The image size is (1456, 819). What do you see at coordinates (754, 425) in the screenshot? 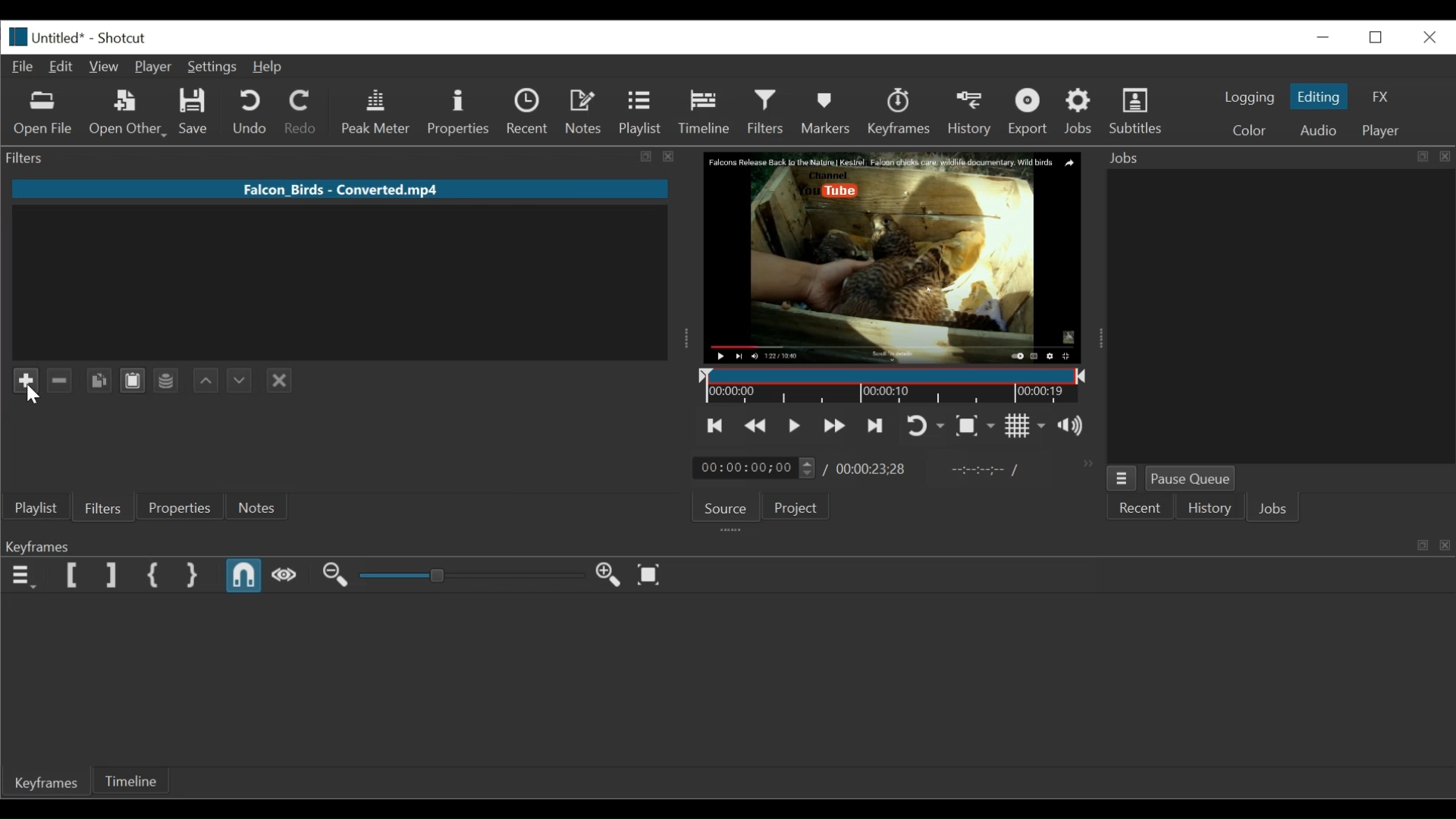
I see `Play backward quickly` at bounding box center [754, 425].